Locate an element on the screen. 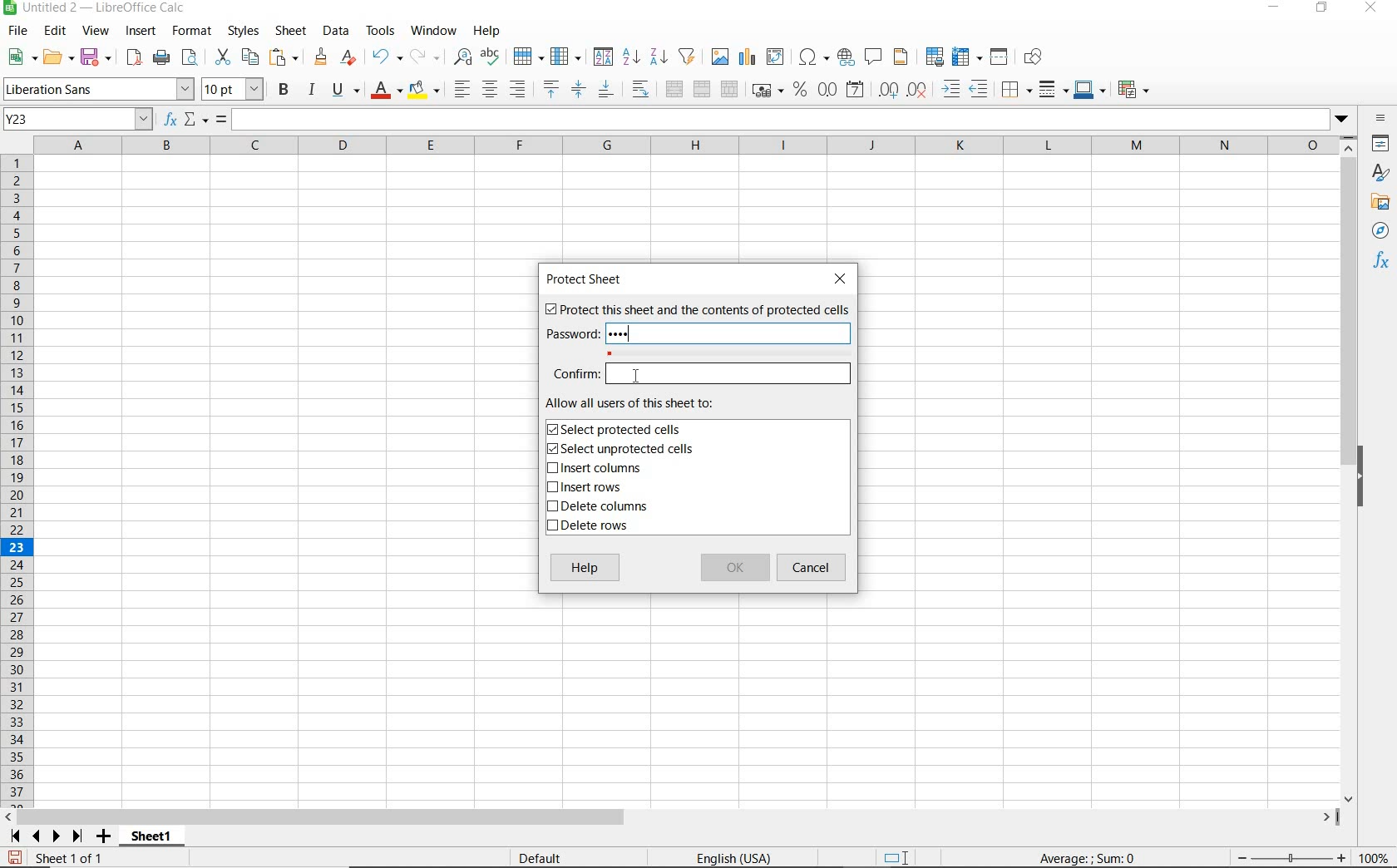 This screenshot has width=1397, height=868. FORMAT AS PERCENT is located at coordinates (800, 91).